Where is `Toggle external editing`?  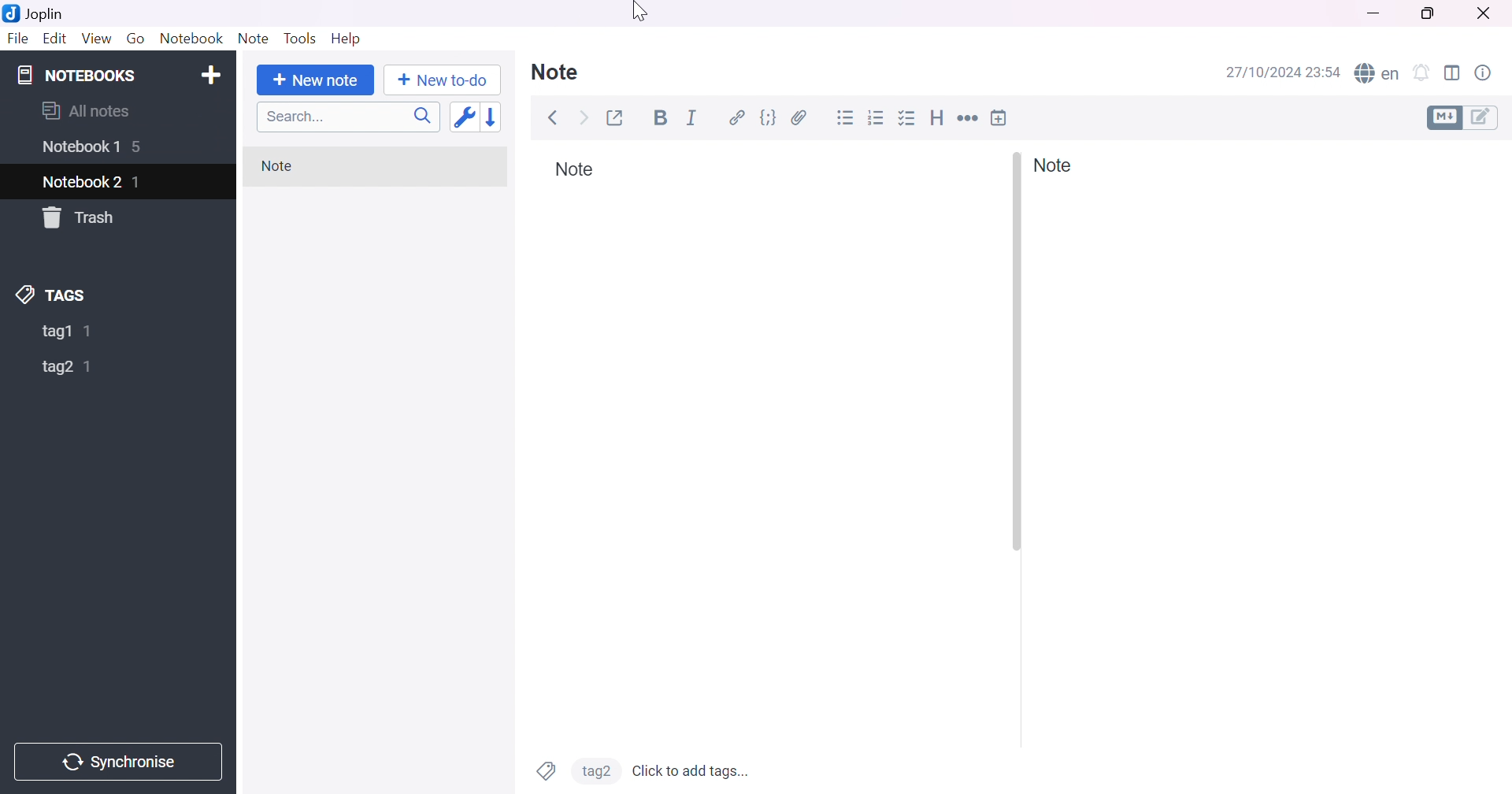 Toggle external editing is located at coordinates (613, 118).